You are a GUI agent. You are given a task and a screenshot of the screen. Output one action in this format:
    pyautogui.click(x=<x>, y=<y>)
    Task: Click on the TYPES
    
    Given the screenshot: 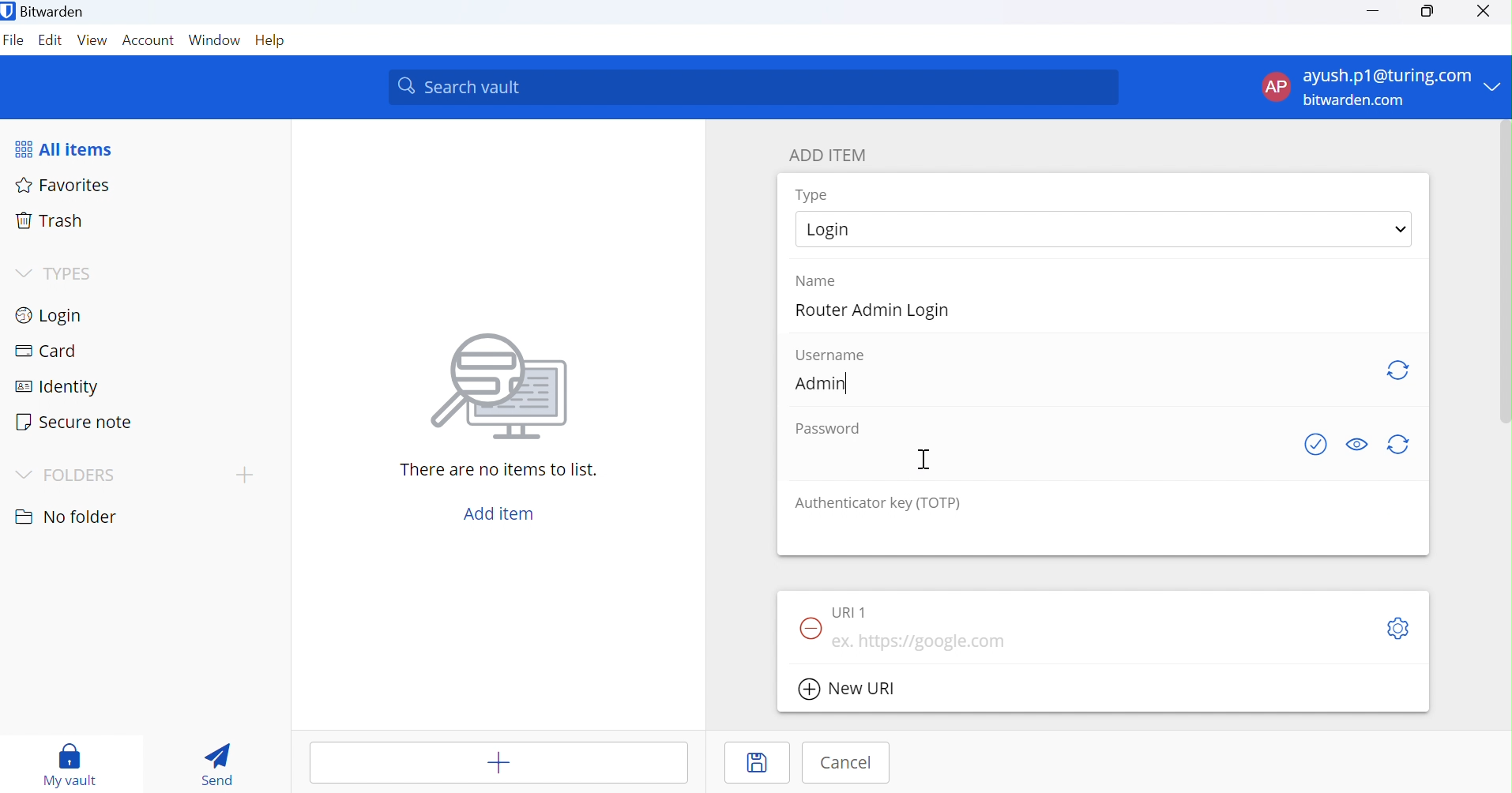 What is the action you would take?
    pyautogui.click(x=54, y=274)
    